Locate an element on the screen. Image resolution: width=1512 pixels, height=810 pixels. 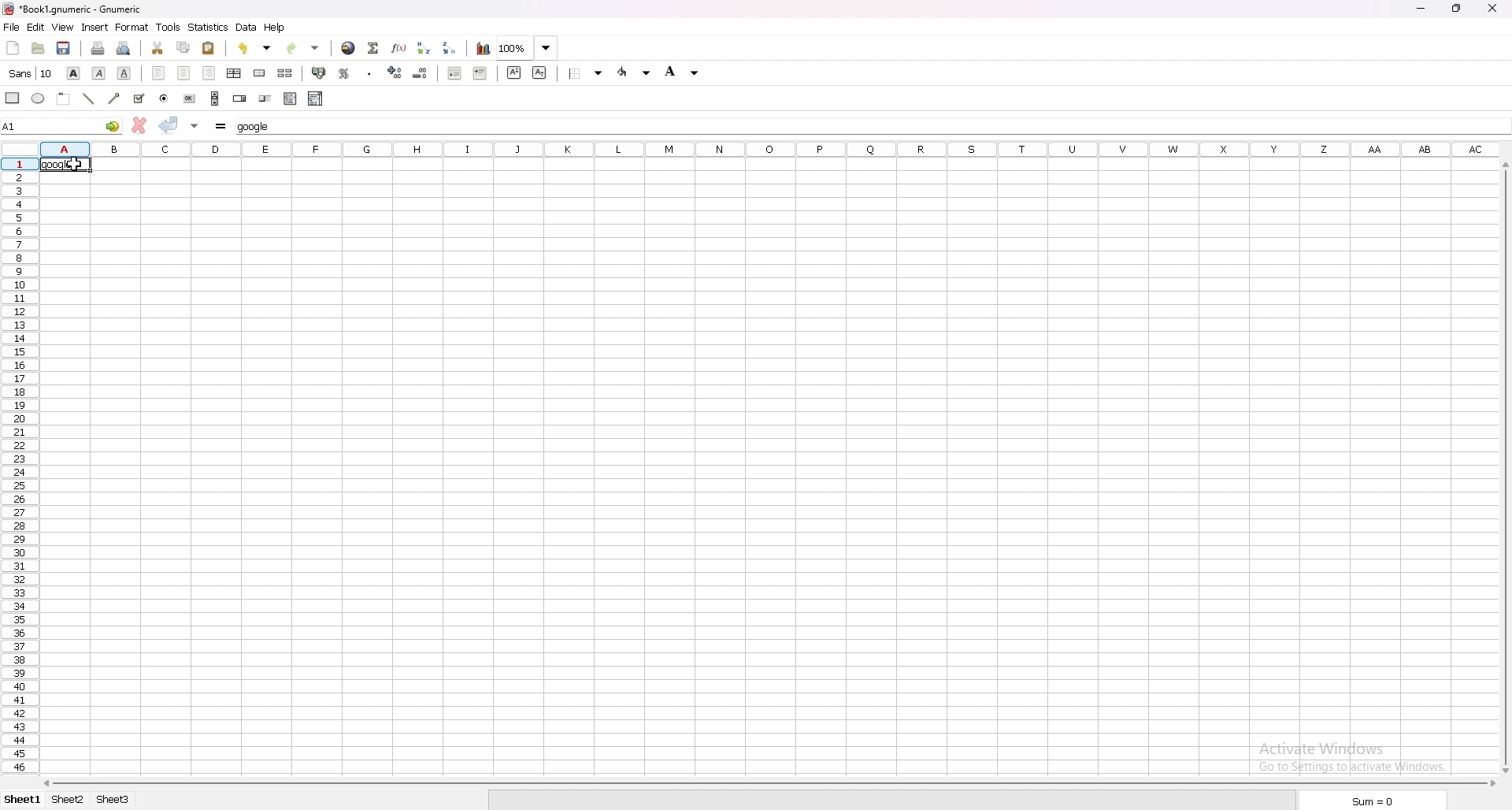
file name is located at coordinates (108, 10).